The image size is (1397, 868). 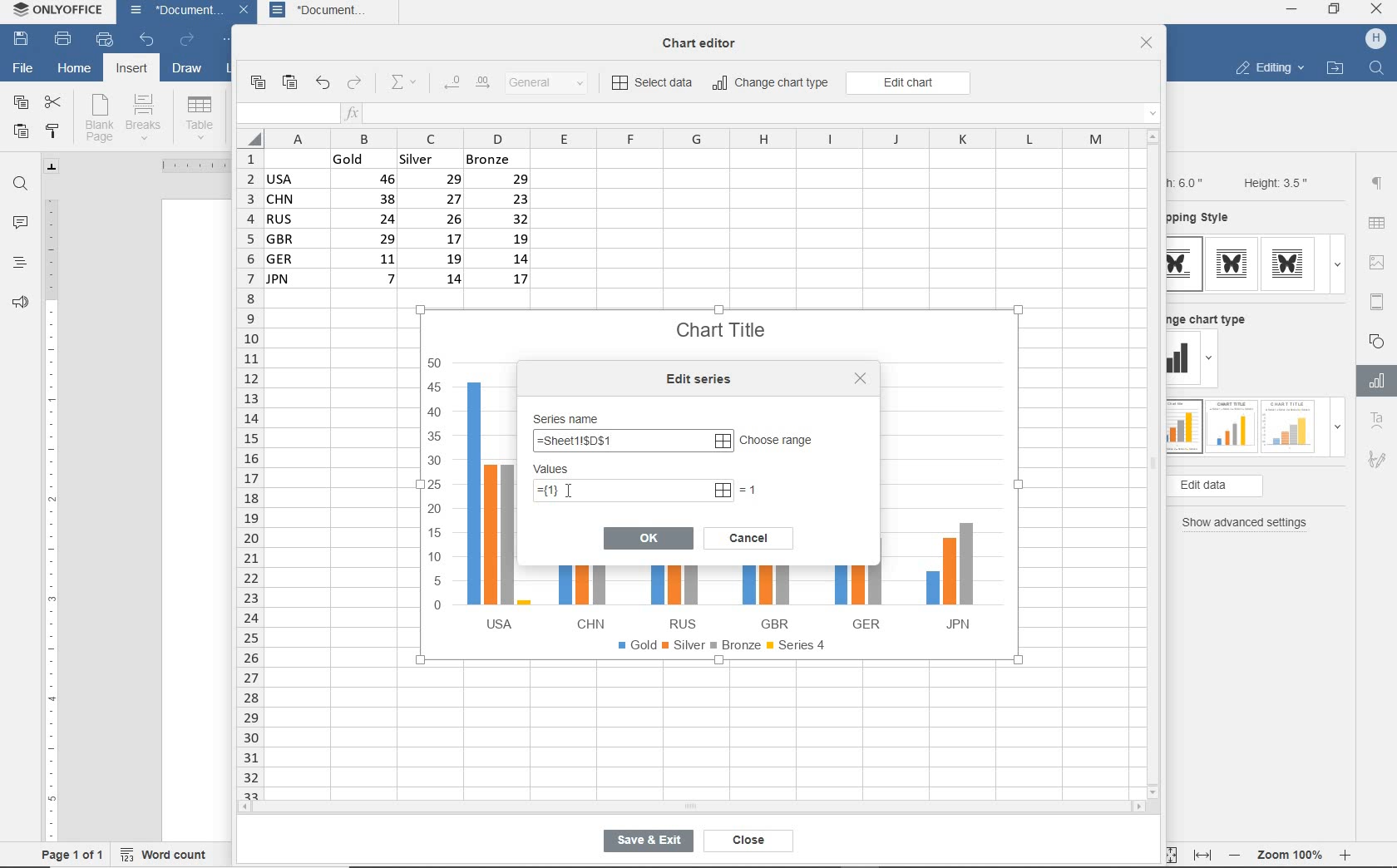 I want to click on draw, so click(x=188, y=71).